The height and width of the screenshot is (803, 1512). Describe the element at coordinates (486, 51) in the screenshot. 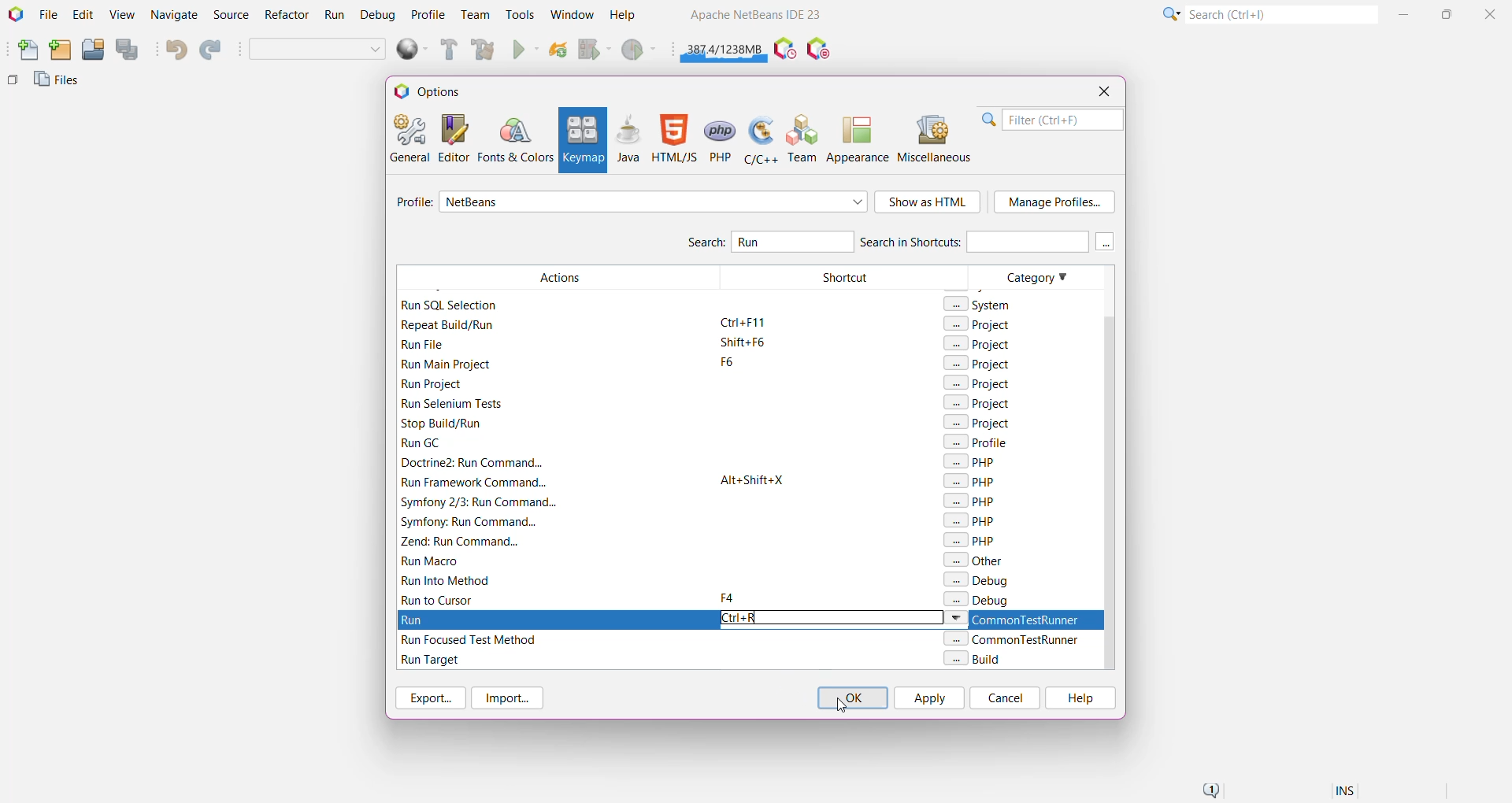

I see `Clean and Build Main Project` at that location.